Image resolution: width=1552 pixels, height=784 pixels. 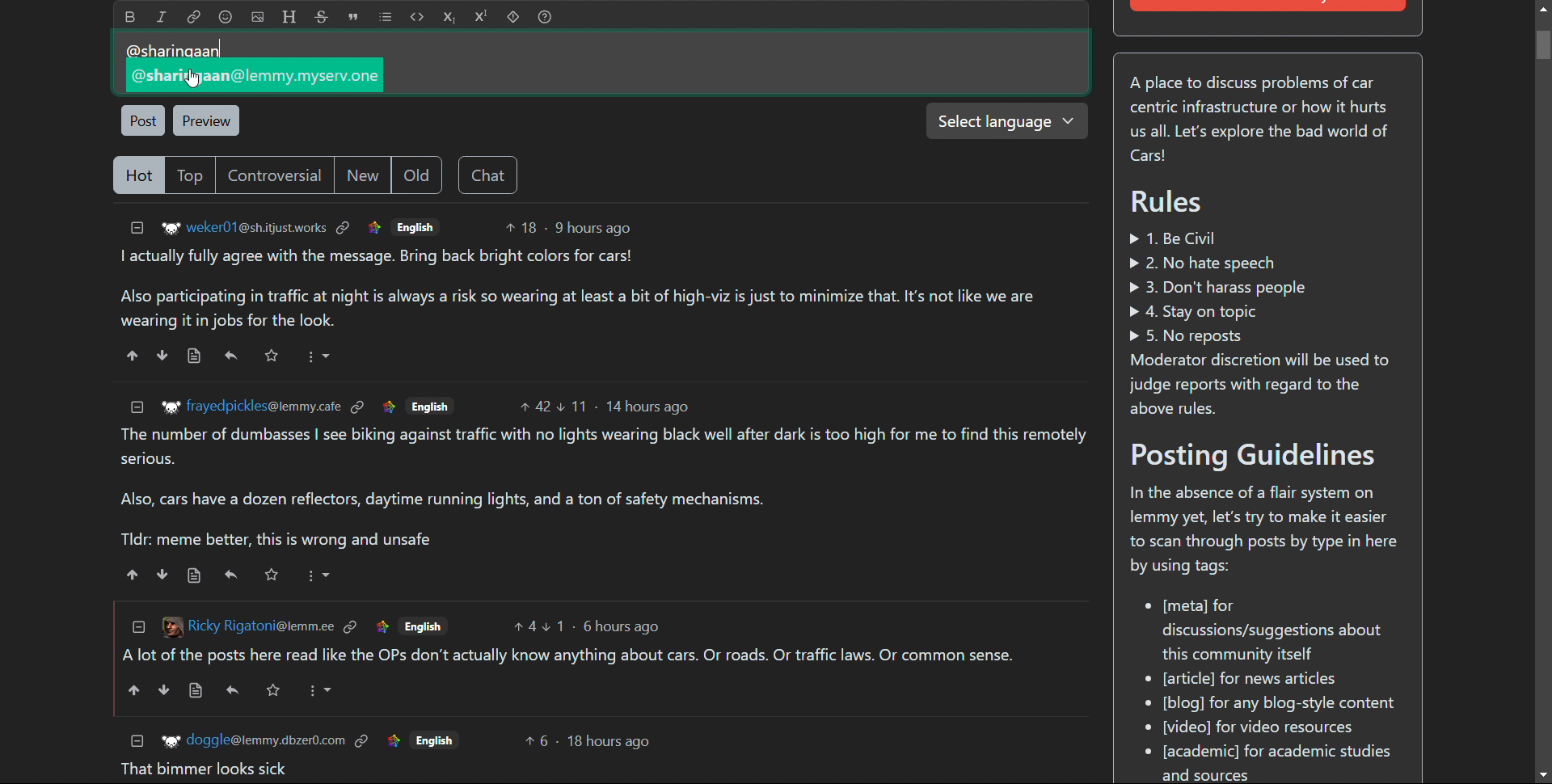 I want to click on collapse, so click(x=137, y=626).